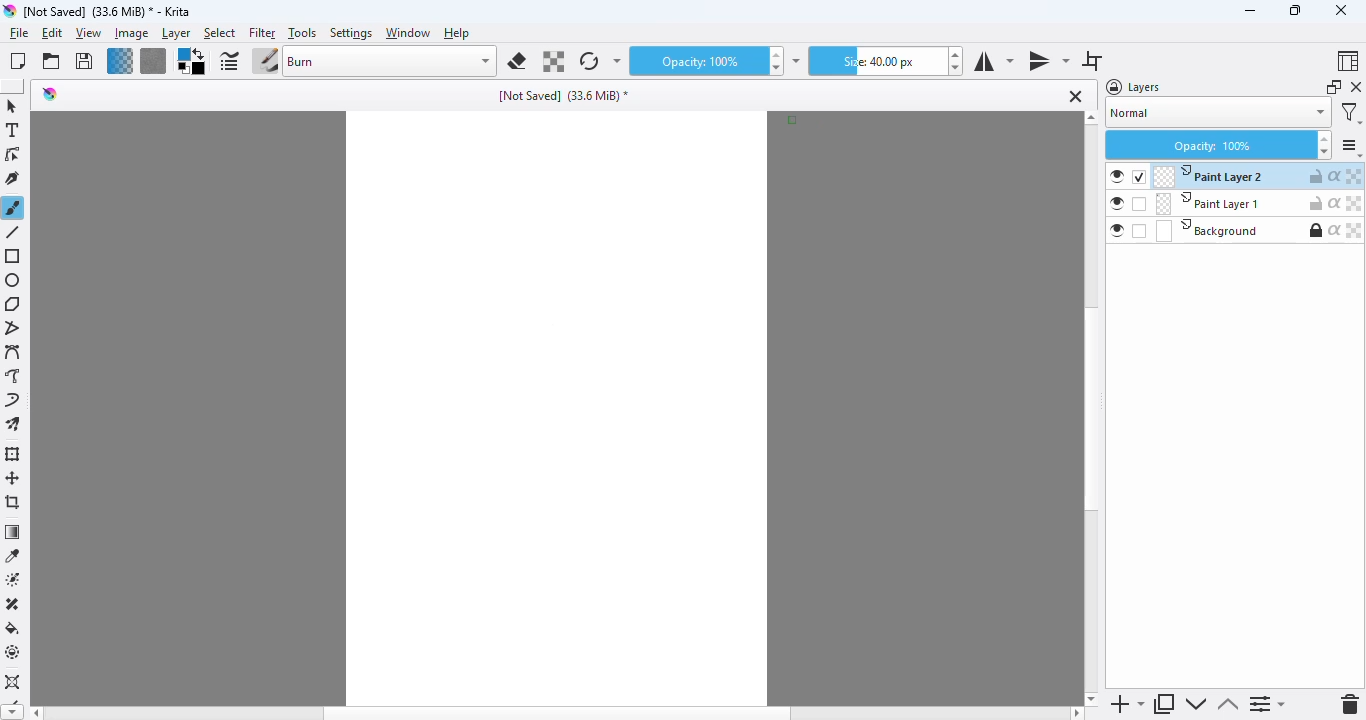 This screenshot has height=720, width=1366. What do you see at coordinates (131, 33) in the screenshot?
I see `image` at bounding box center [131, 33].